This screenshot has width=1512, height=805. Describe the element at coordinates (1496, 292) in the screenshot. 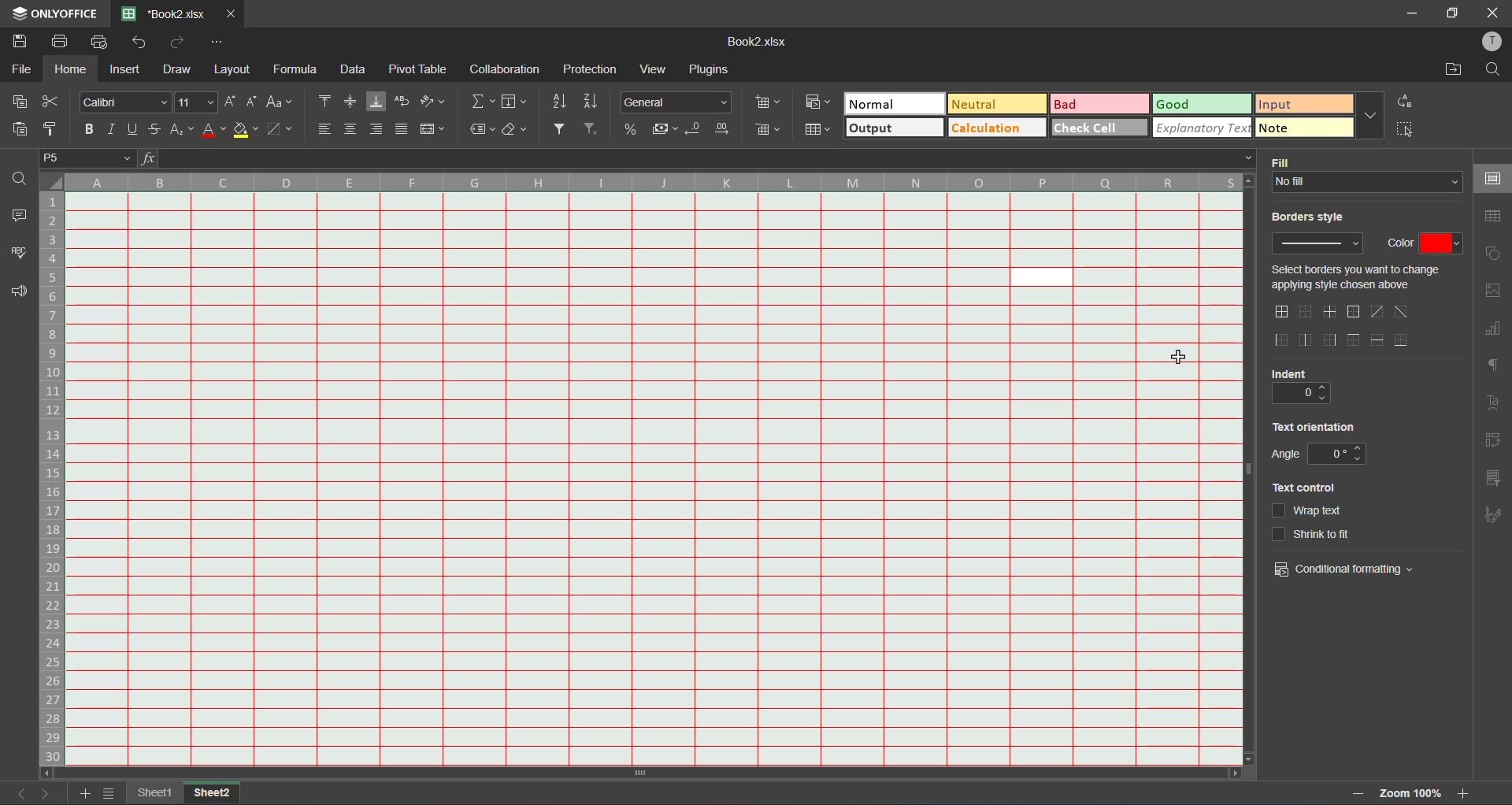

I see `images` at that location.